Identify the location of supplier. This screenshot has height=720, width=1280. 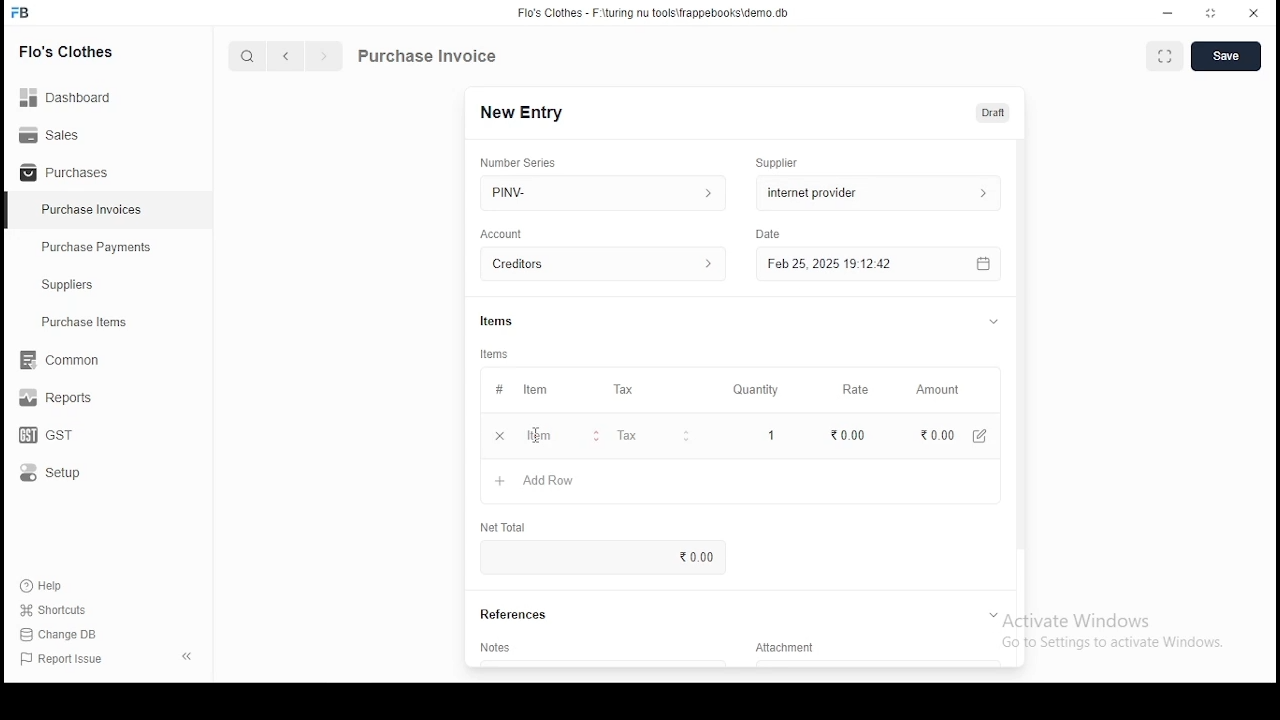
(880, 194).